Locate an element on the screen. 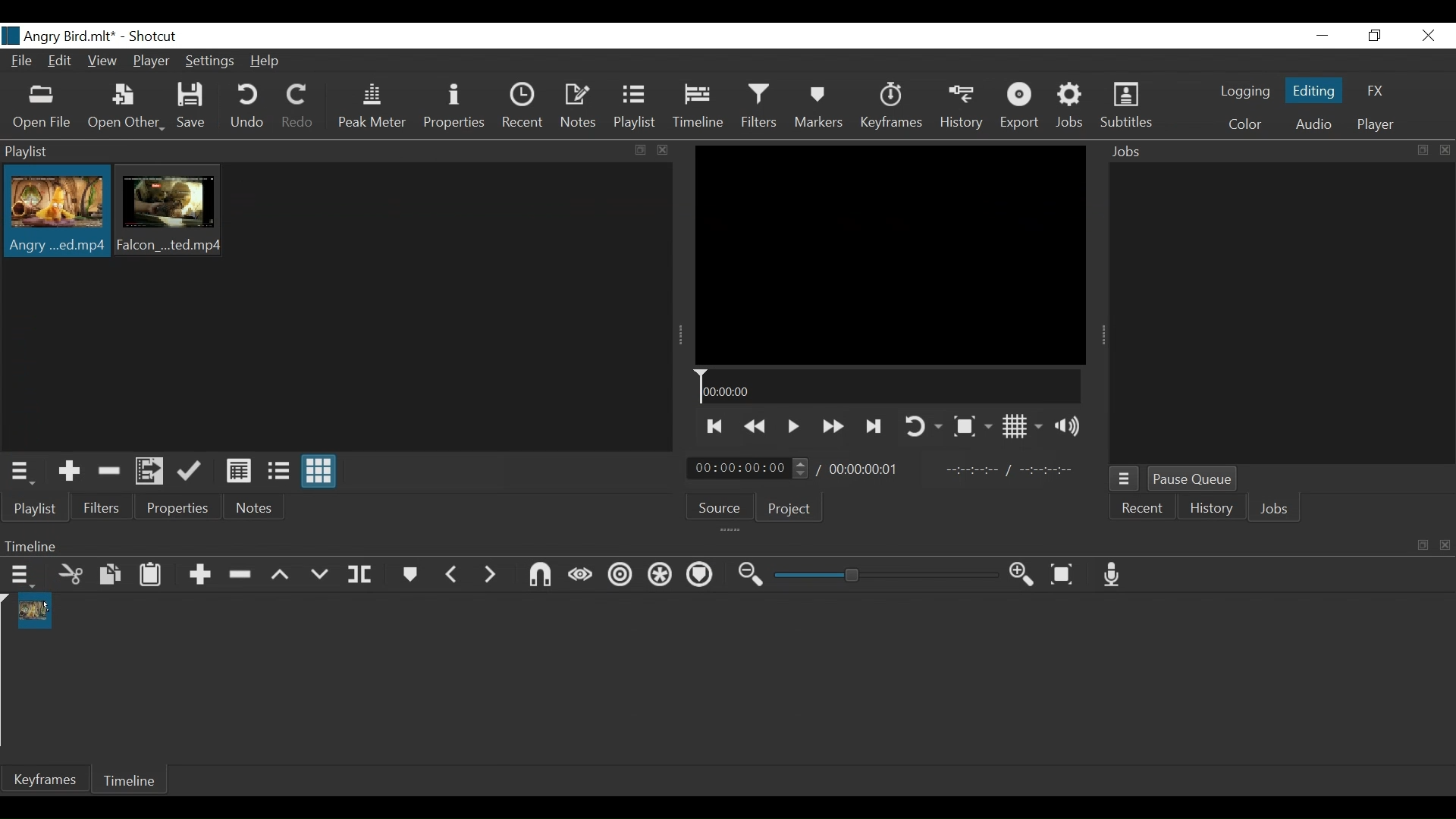  Remove cut is located at coordinates (110, 472).